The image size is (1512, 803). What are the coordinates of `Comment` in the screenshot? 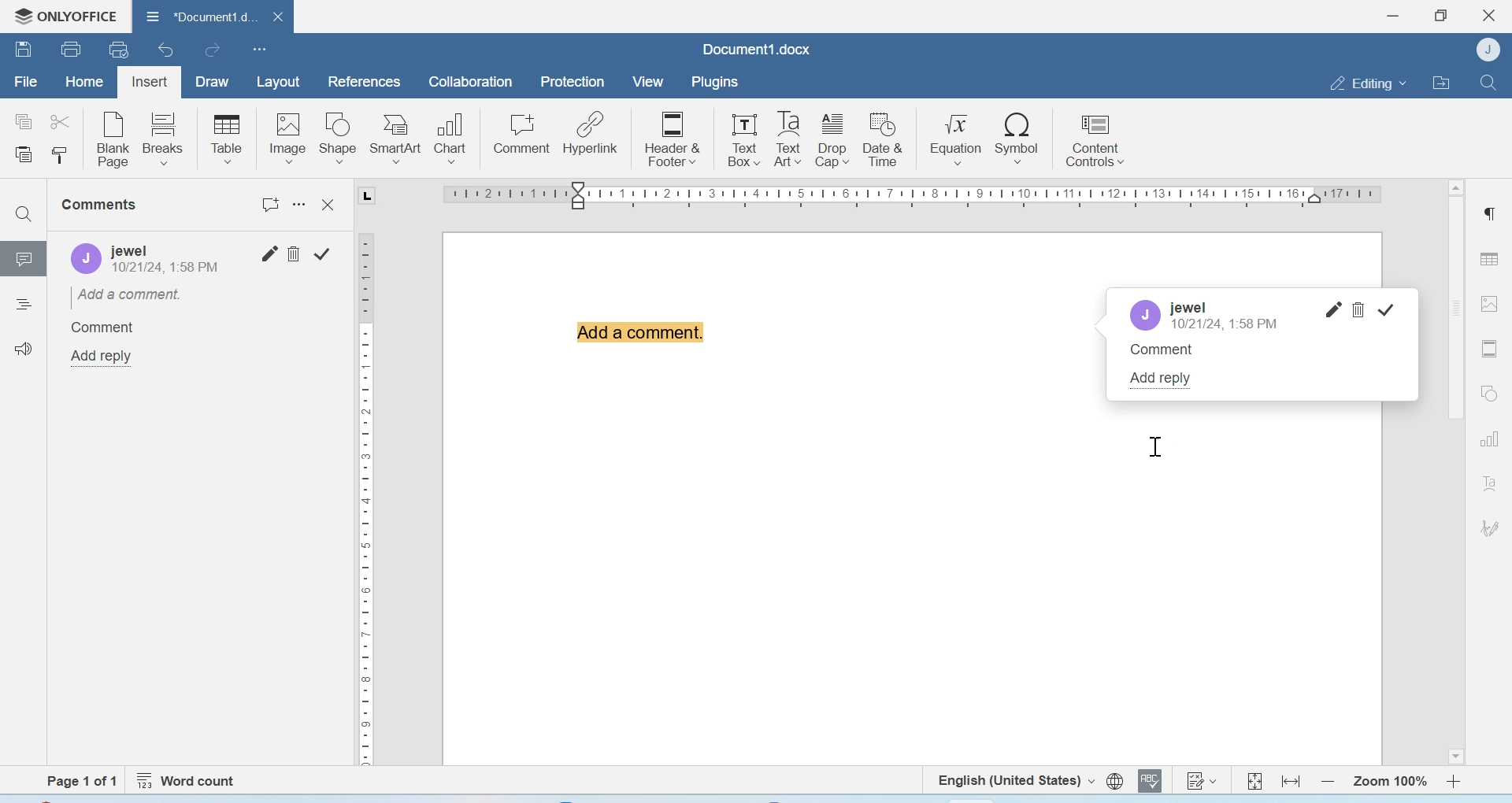 It's located at (102, 328).